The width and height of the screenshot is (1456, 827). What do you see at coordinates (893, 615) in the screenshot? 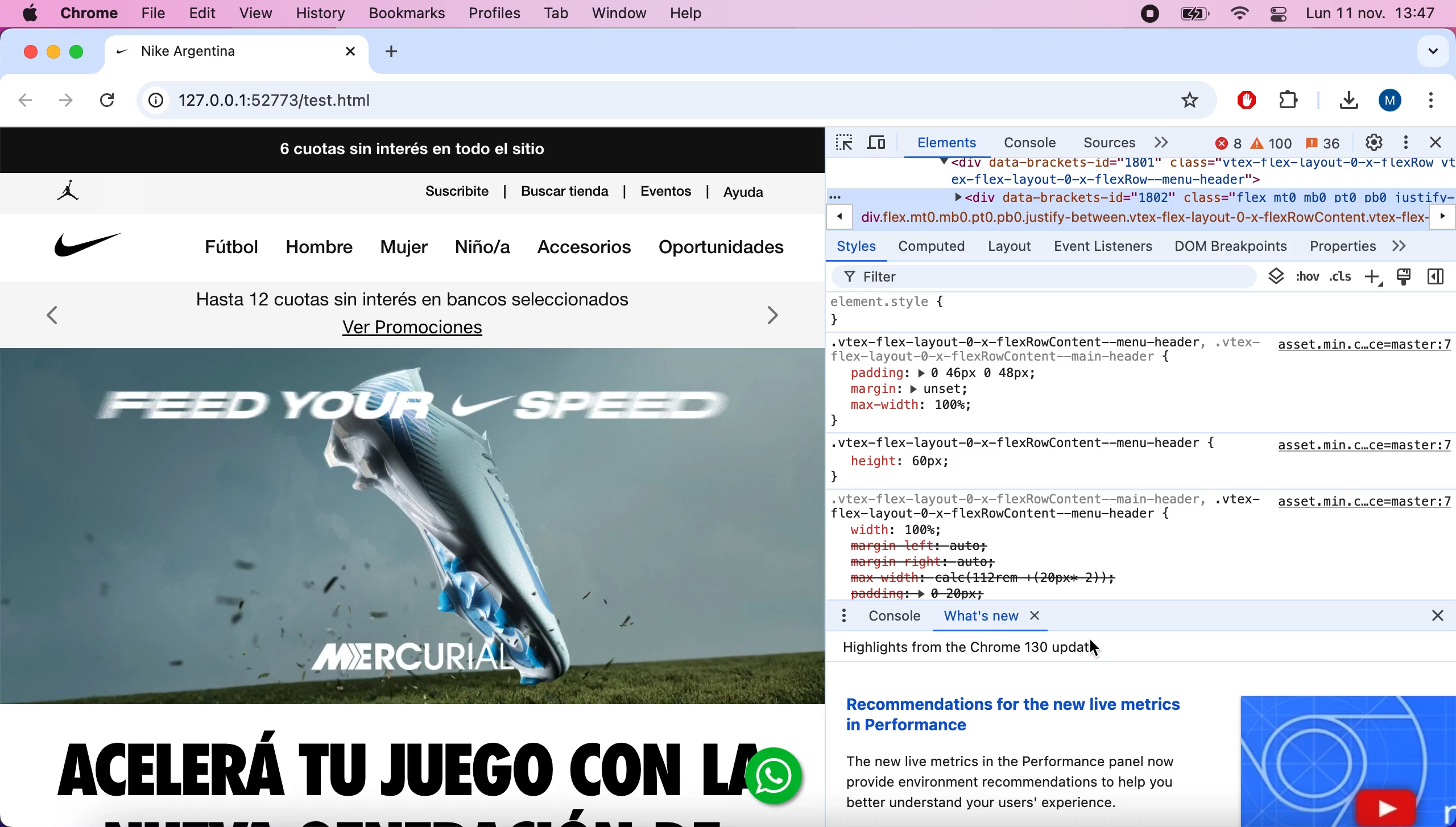
I see `console` at bounding box center [893, 615].